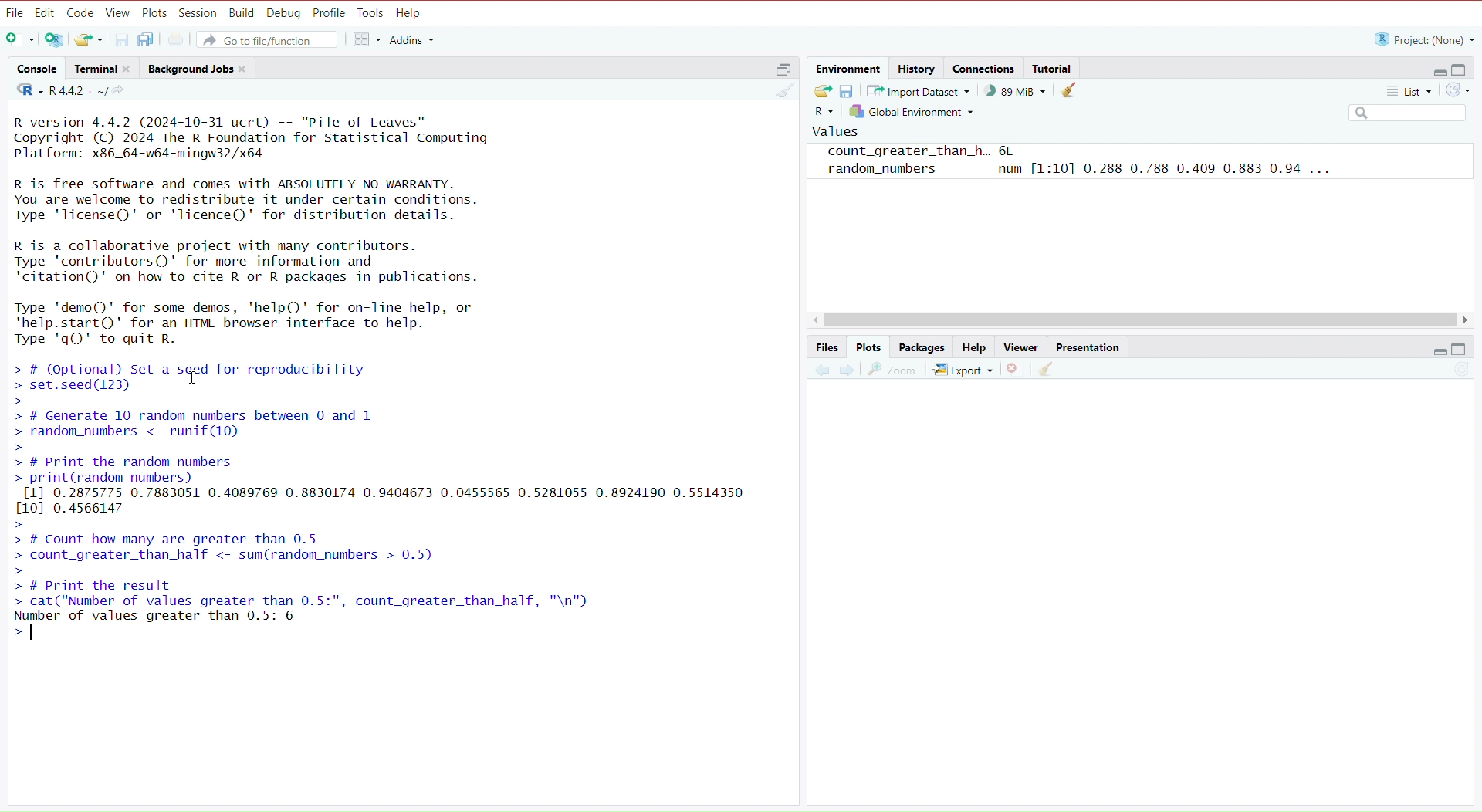  Describe the element at coordinates (822, 111) in the screenshot. I see `R` at that location.